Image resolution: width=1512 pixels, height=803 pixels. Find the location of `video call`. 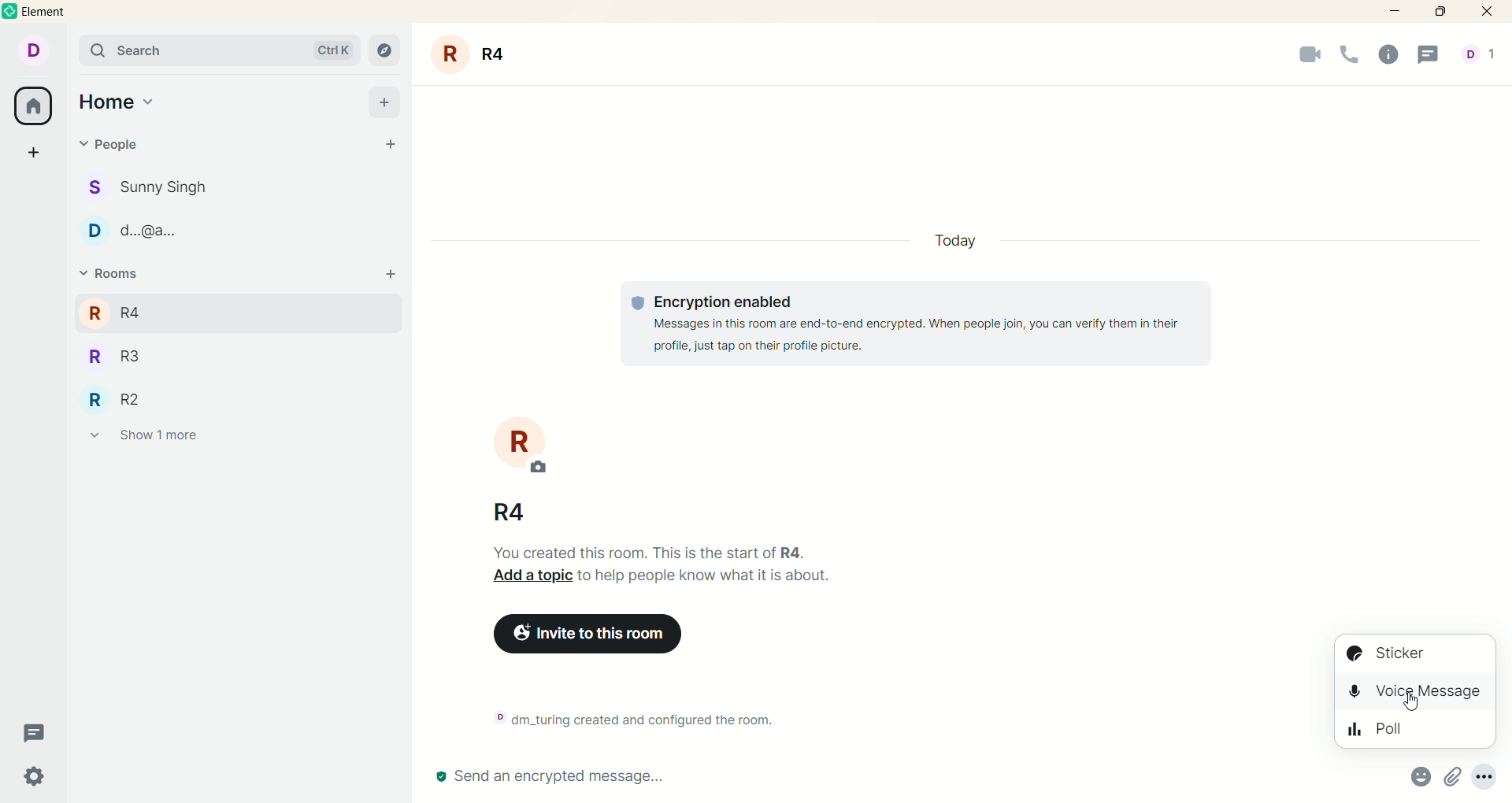

video call is located at coordinates (1299, 58).